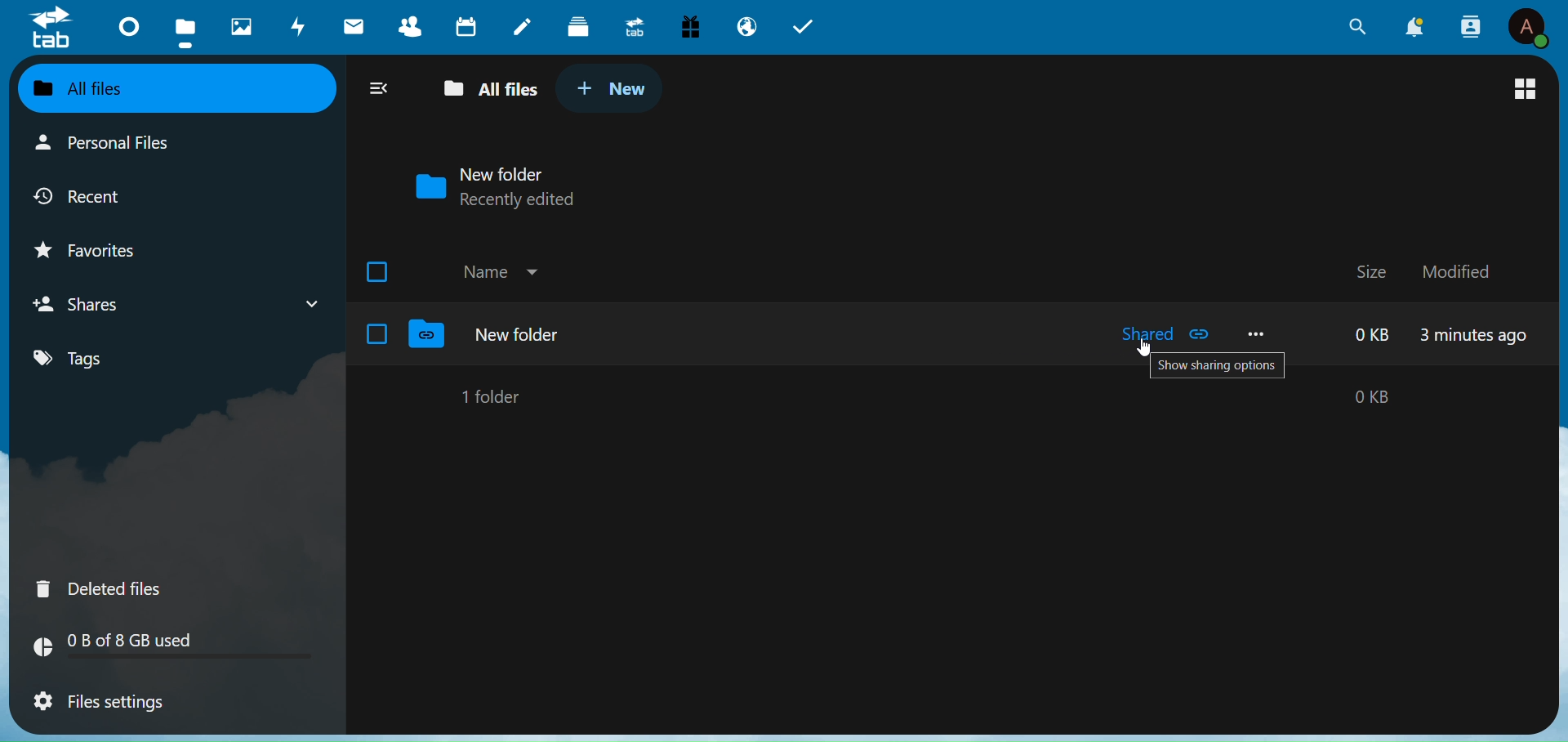  What do you see at coordinates (809, 25) in the screenshot?
I see `Tab` at bounding box center [809, 25].